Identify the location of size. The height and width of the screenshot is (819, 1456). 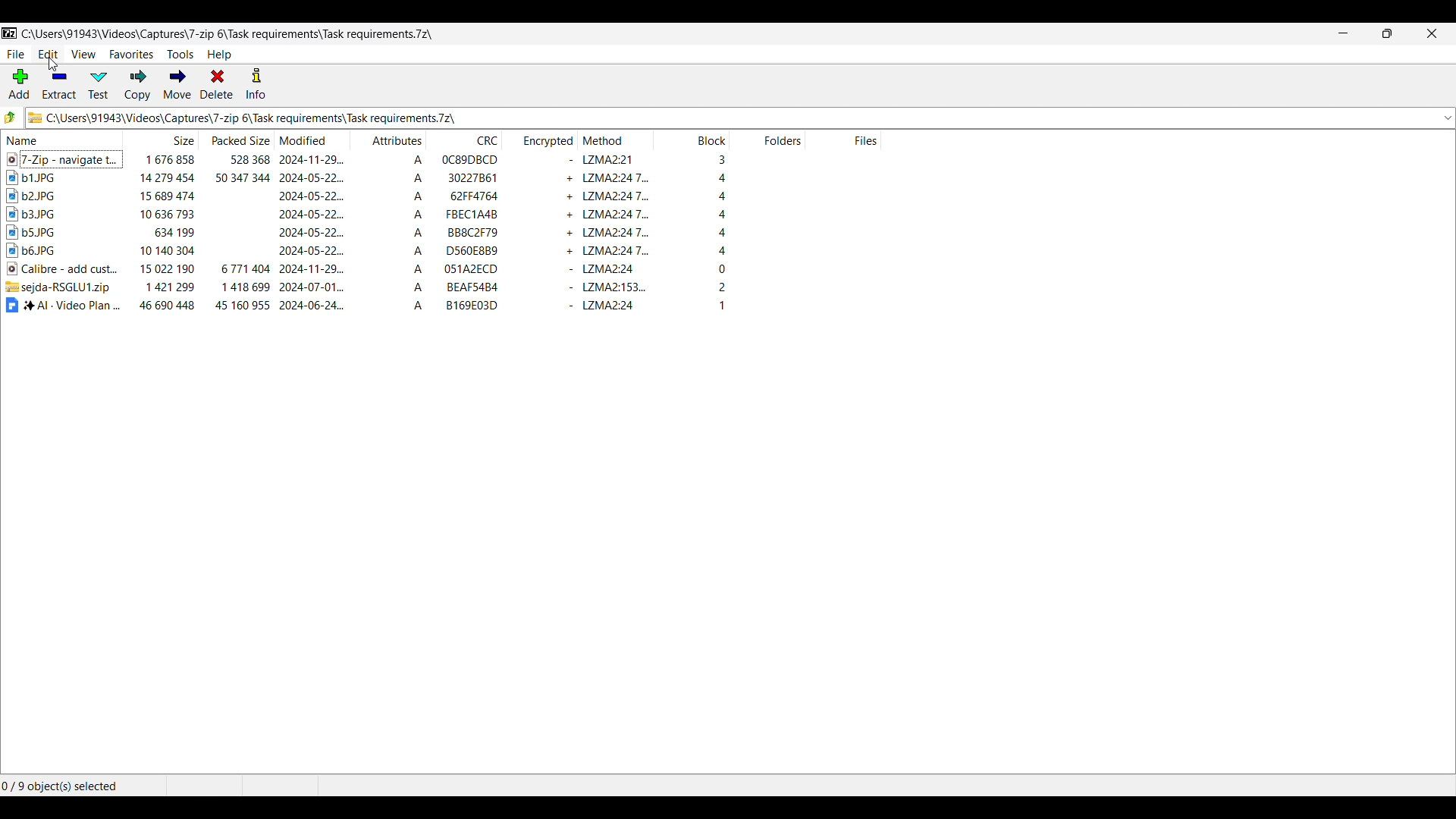
(163, 234).